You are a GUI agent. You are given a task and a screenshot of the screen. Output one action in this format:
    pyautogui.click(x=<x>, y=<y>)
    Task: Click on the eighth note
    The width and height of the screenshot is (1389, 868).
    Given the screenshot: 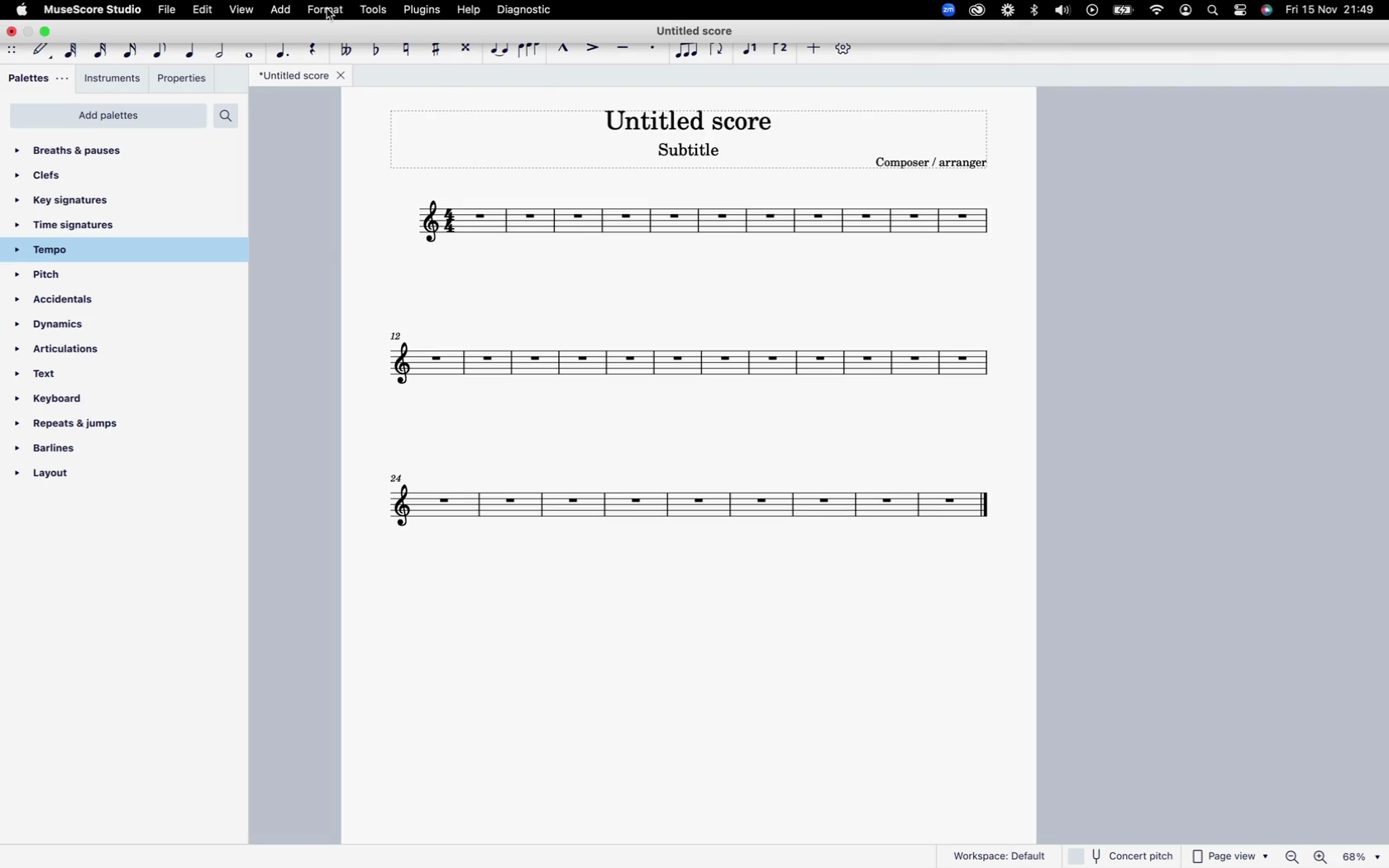 What is the action you would take?
    pyautogui.click(x=161, y=48)
    